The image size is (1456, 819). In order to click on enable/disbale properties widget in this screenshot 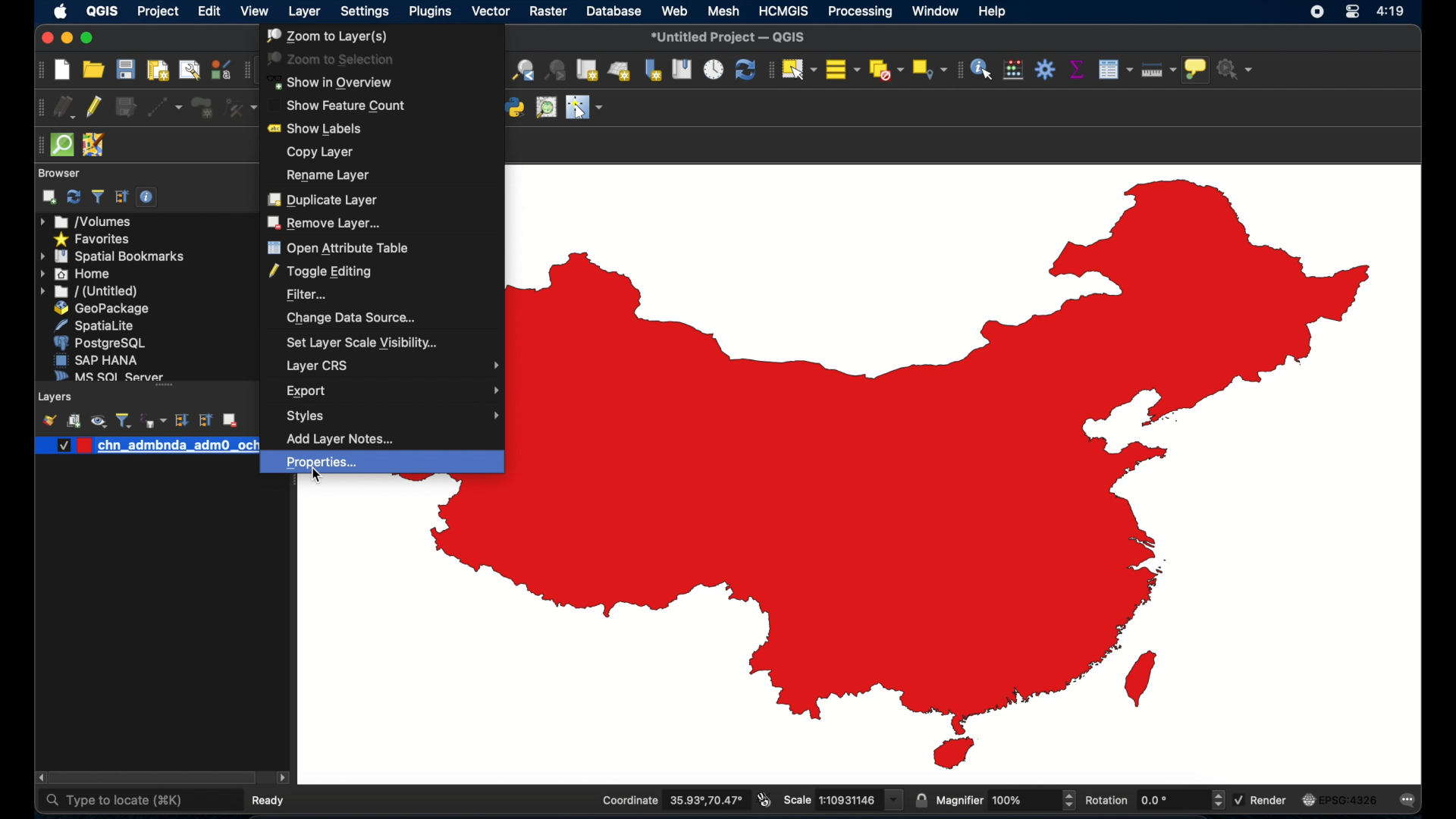, I will do `click(149, 197)`.